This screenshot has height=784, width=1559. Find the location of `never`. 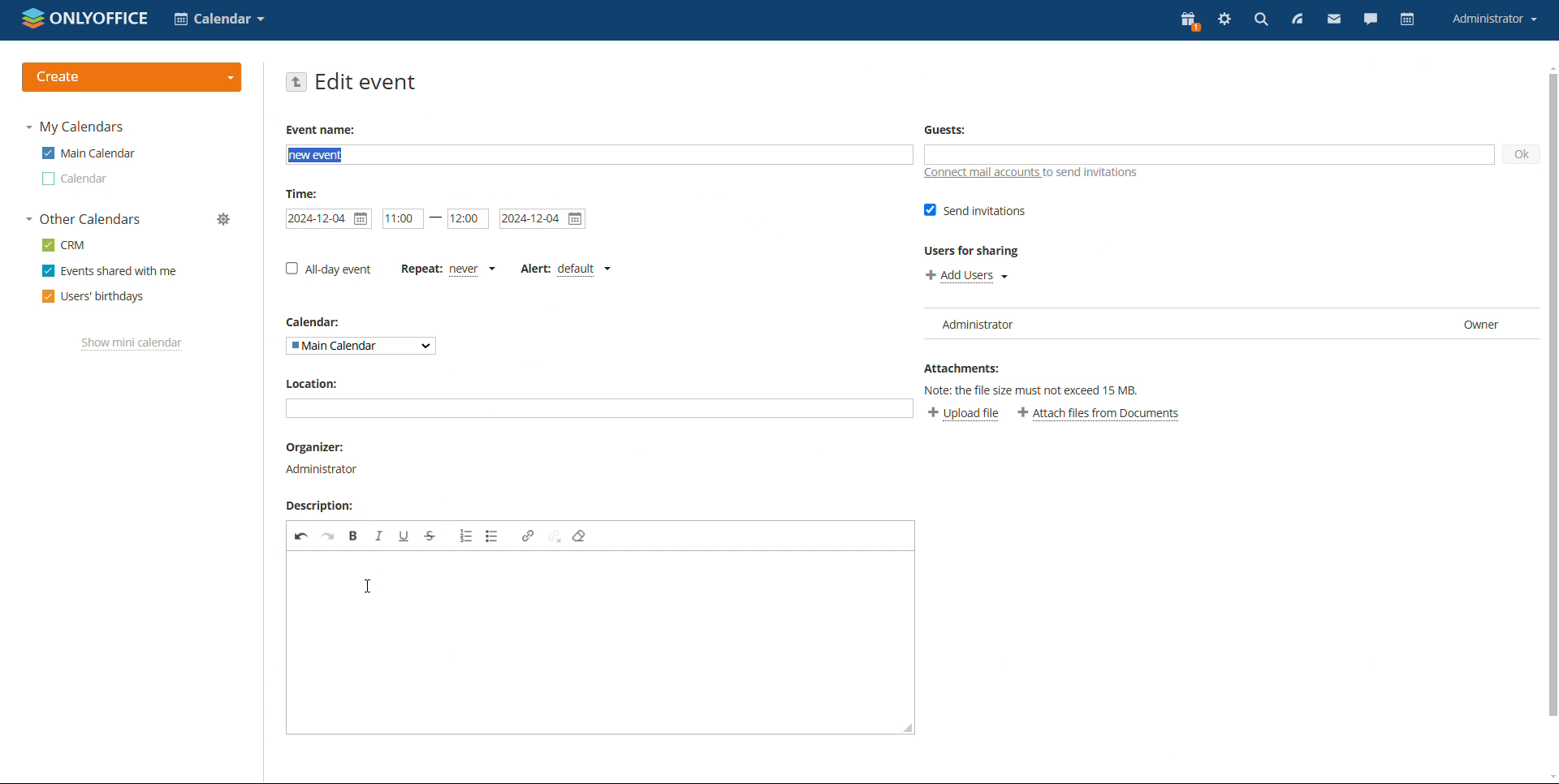

never is located at coordinates (470, 269).